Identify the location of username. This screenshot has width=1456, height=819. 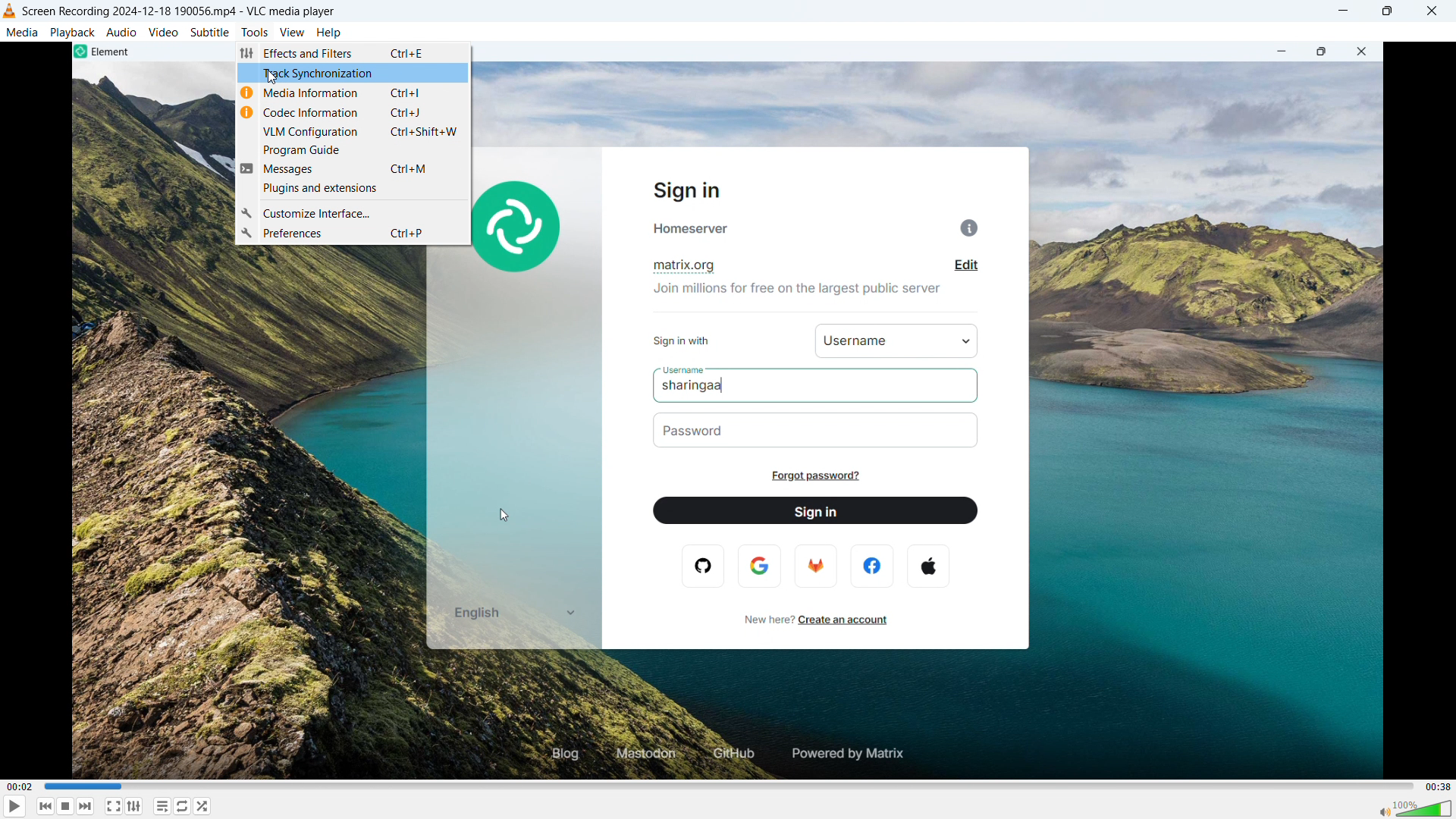
(686, 369).